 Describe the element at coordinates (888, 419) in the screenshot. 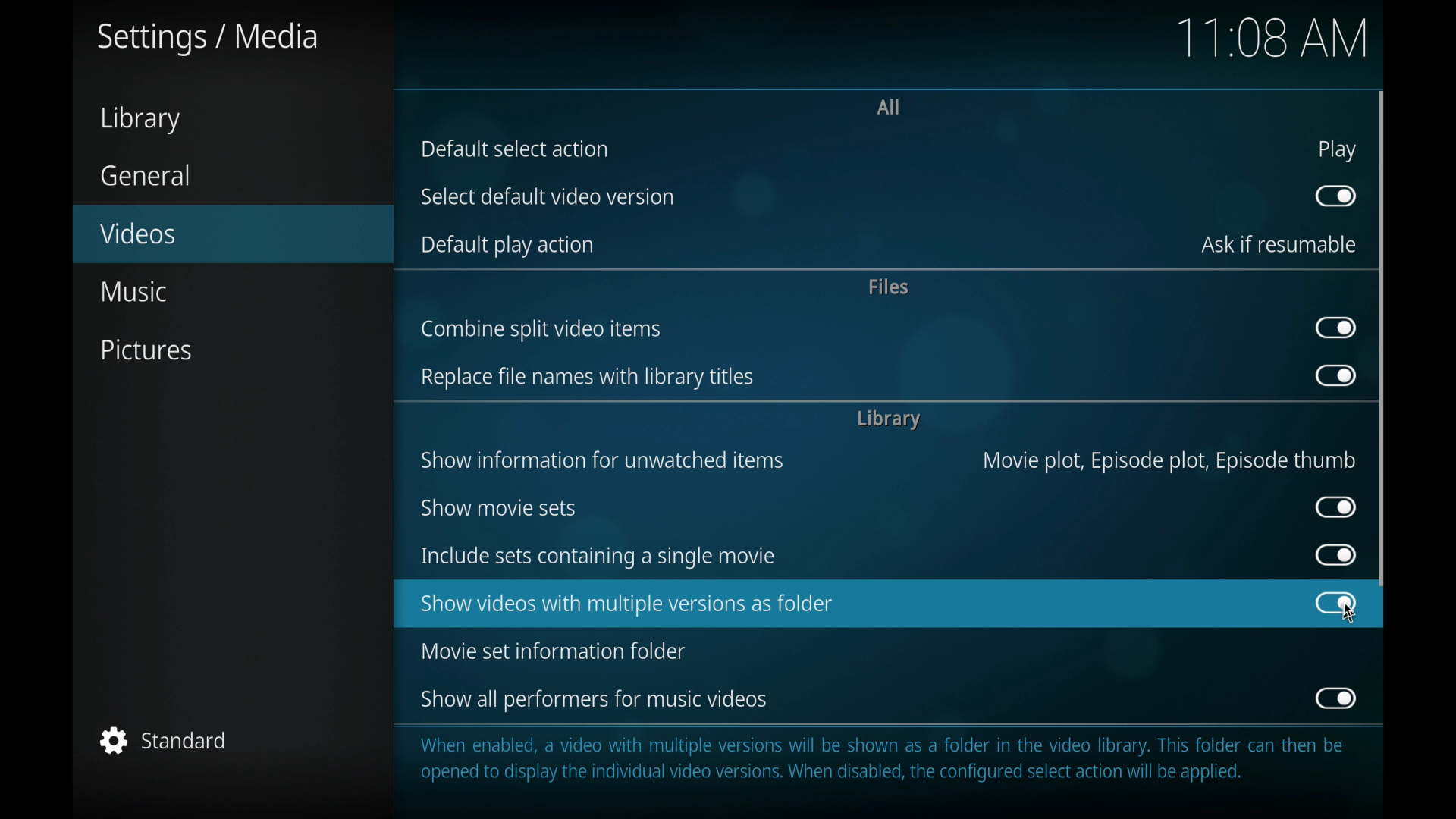

I see `library` at that location.